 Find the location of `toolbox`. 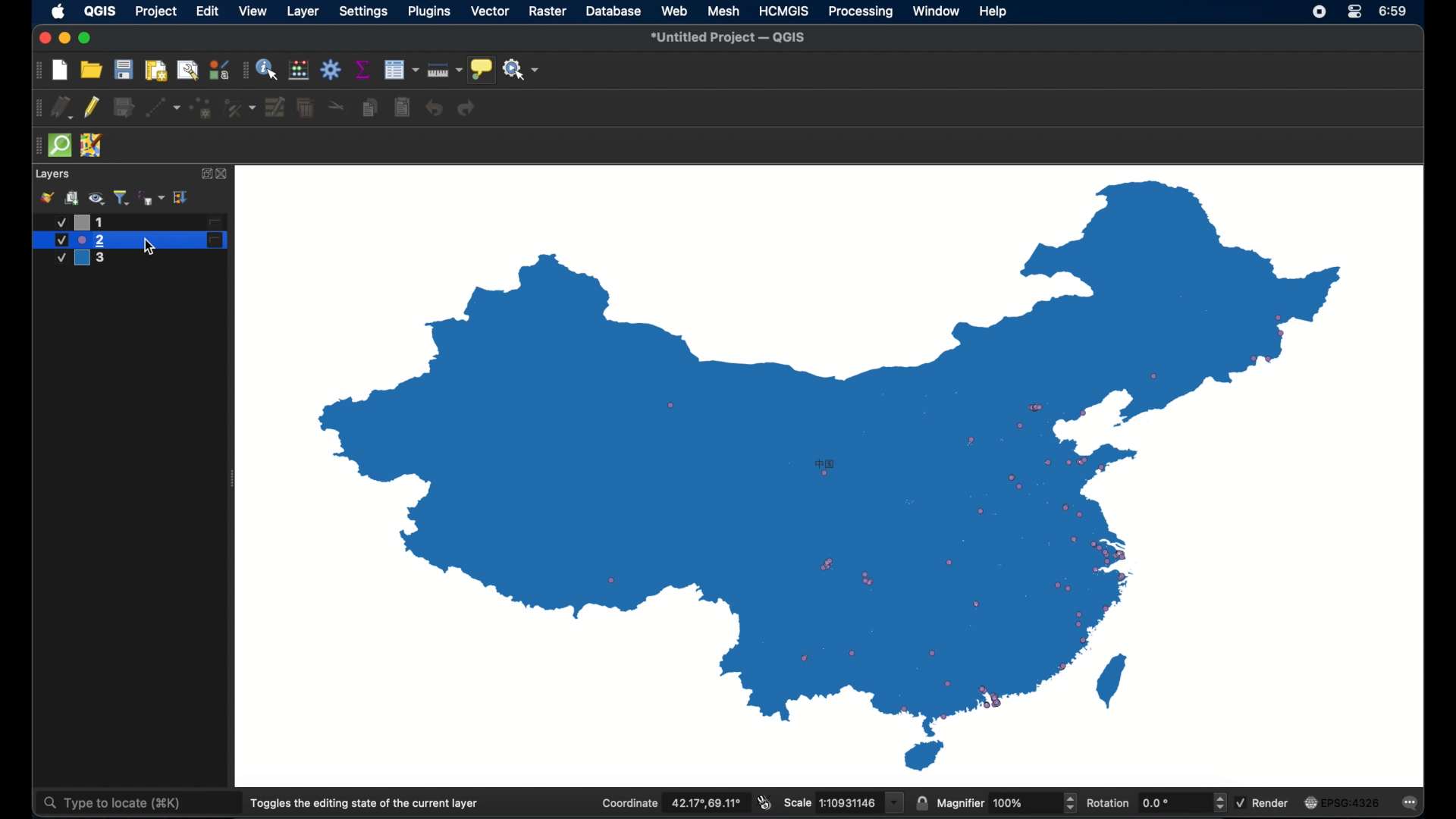

toolbox is located at coordinates (331, 69).